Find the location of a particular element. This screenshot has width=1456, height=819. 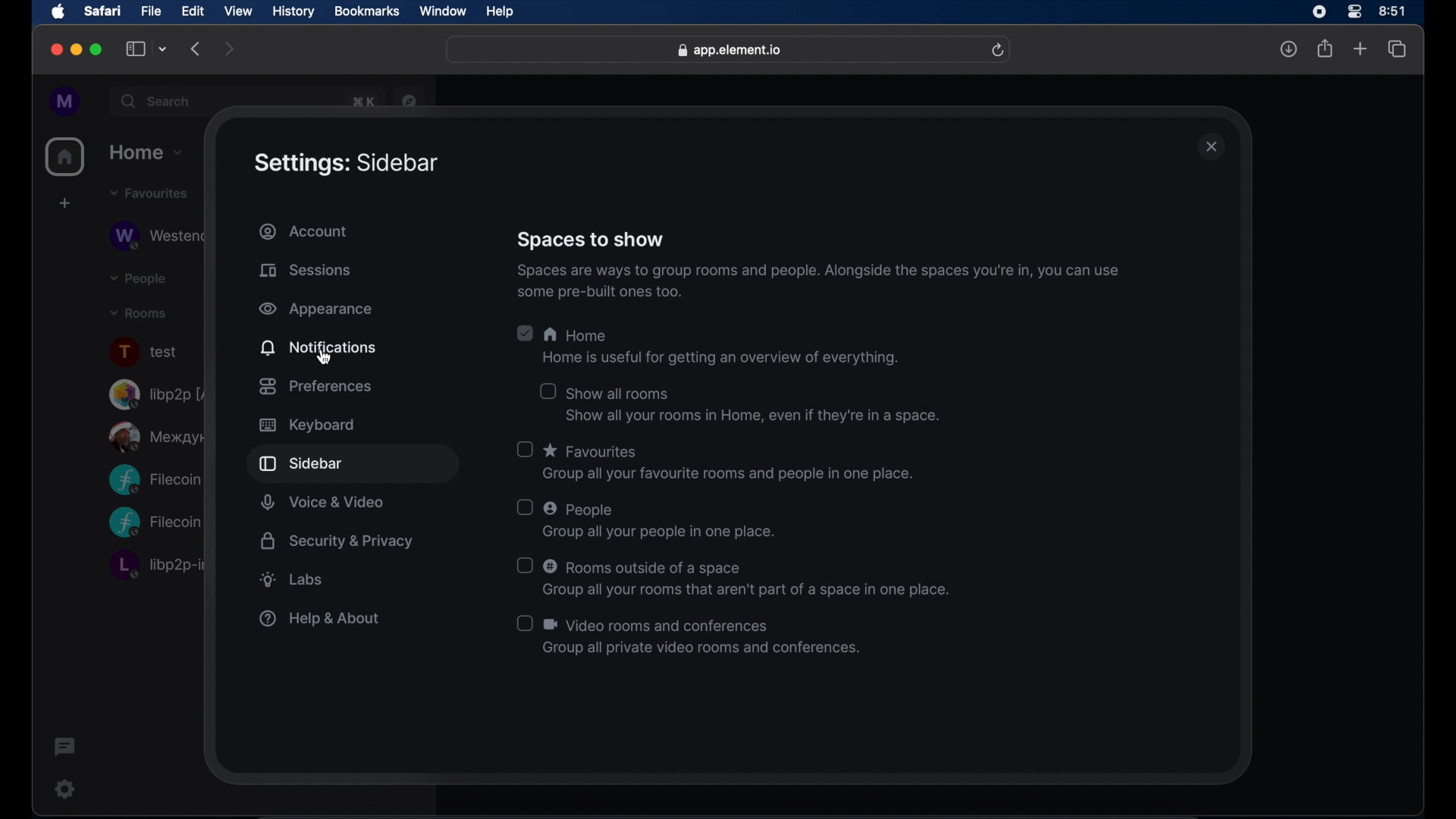

O * Favourites
Group all your favourite rooms and people in one place. is located at coordinates (719, 461).